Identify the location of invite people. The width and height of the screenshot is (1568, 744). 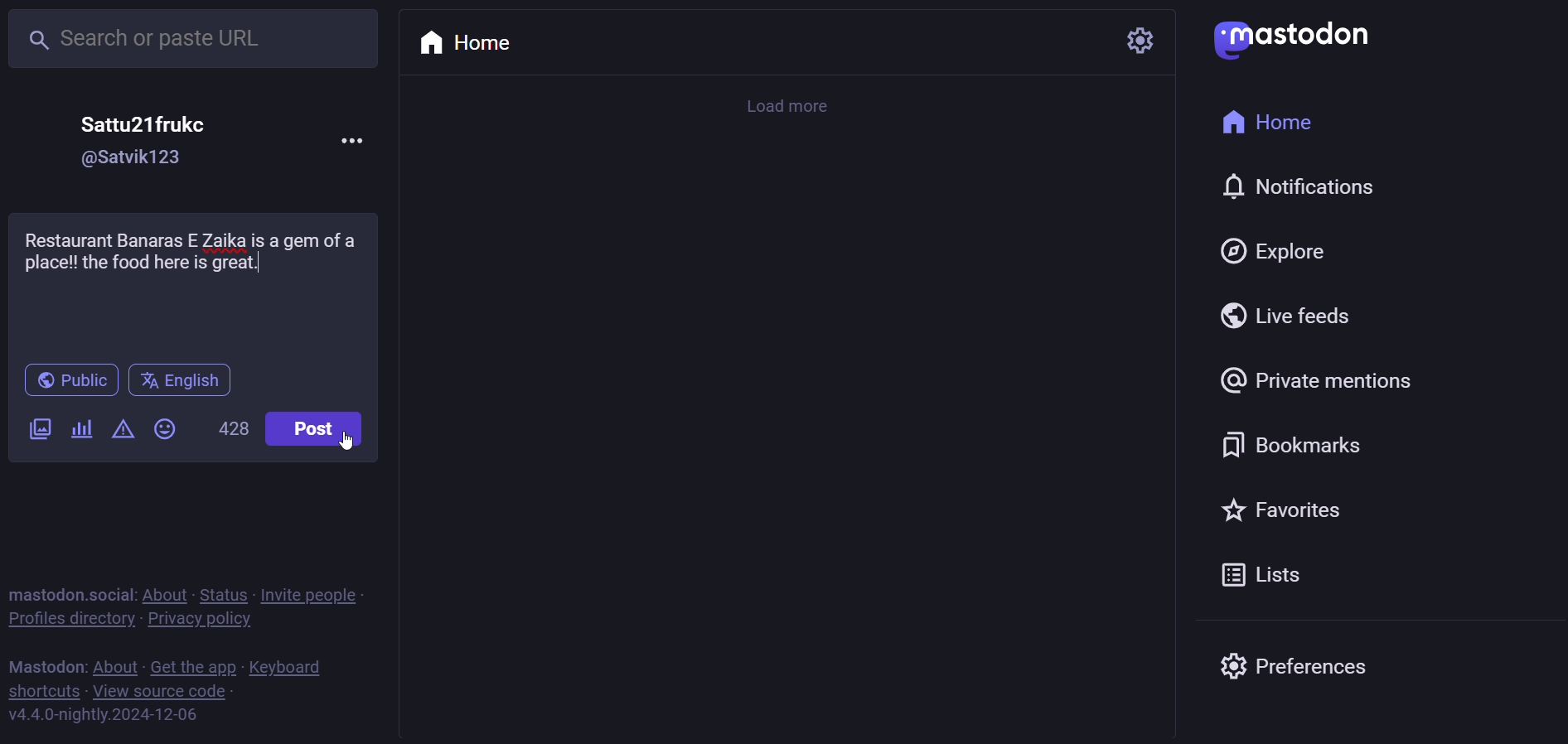
(311, 595).